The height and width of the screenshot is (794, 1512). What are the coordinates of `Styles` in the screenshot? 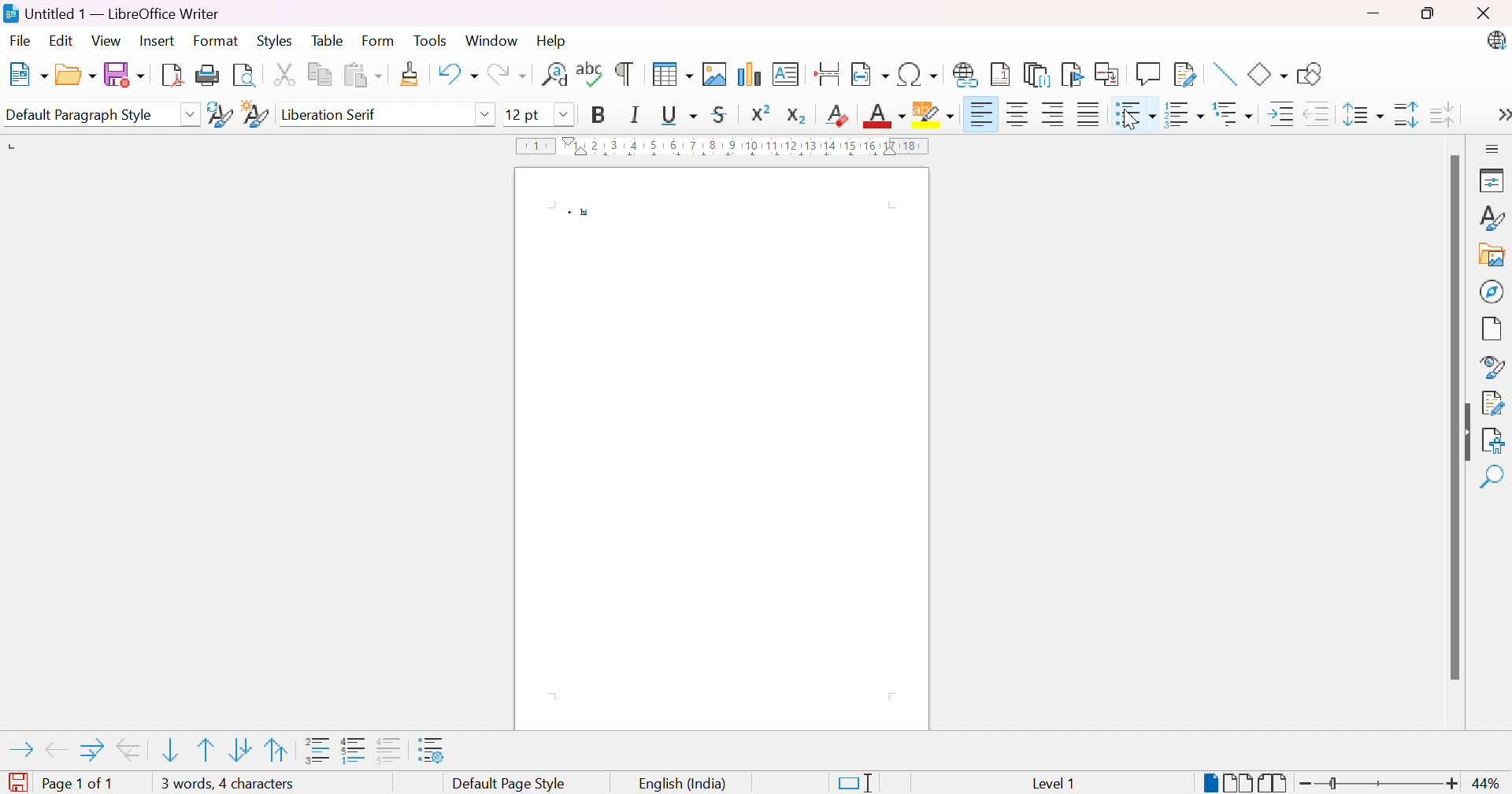 It's located at (274, 40).